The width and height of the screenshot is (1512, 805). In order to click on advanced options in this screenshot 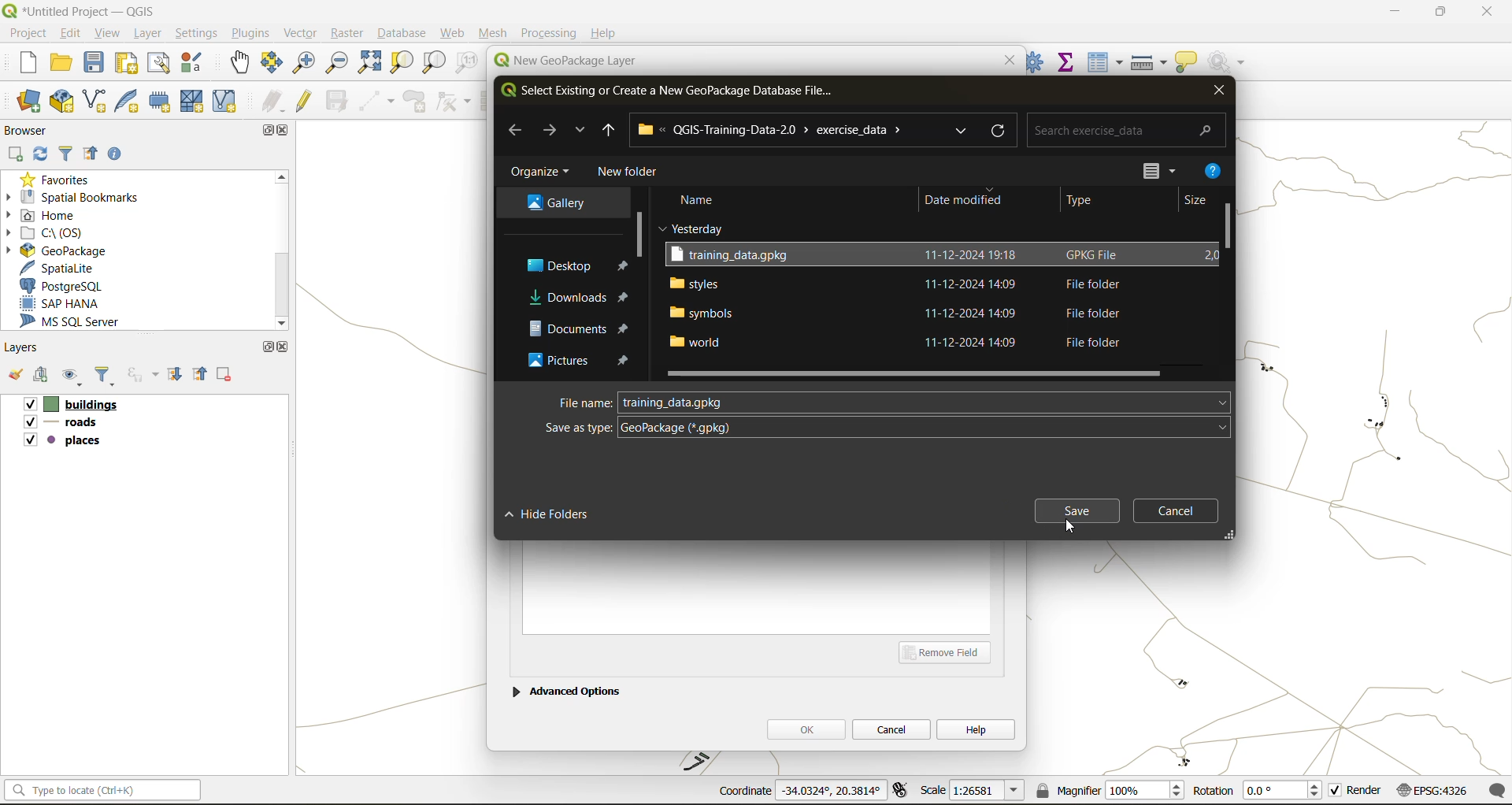, I will do `click(566, 689)`.